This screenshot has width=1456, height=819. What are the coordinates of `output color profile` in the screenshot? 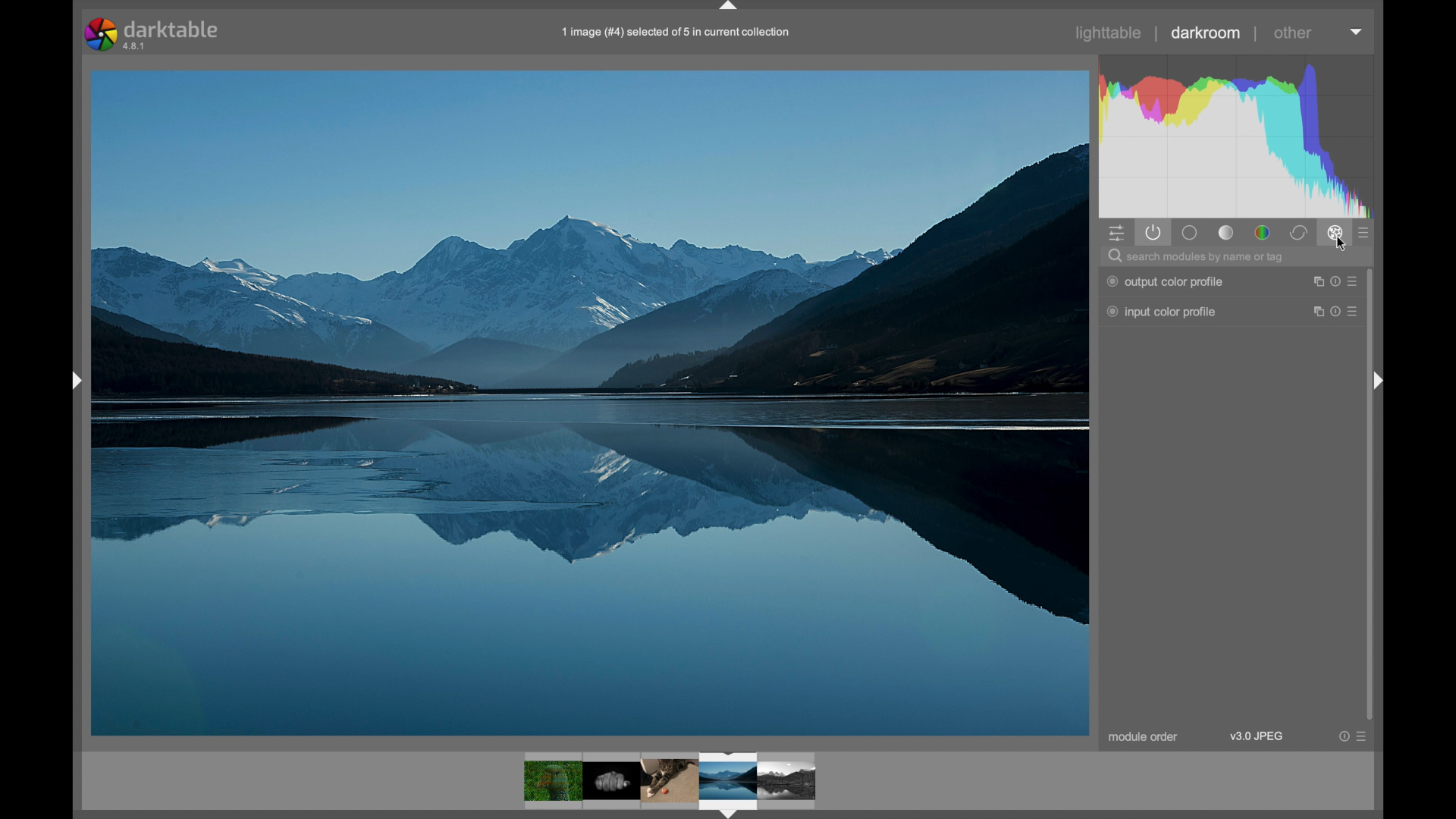 It's located at (1166, 281).